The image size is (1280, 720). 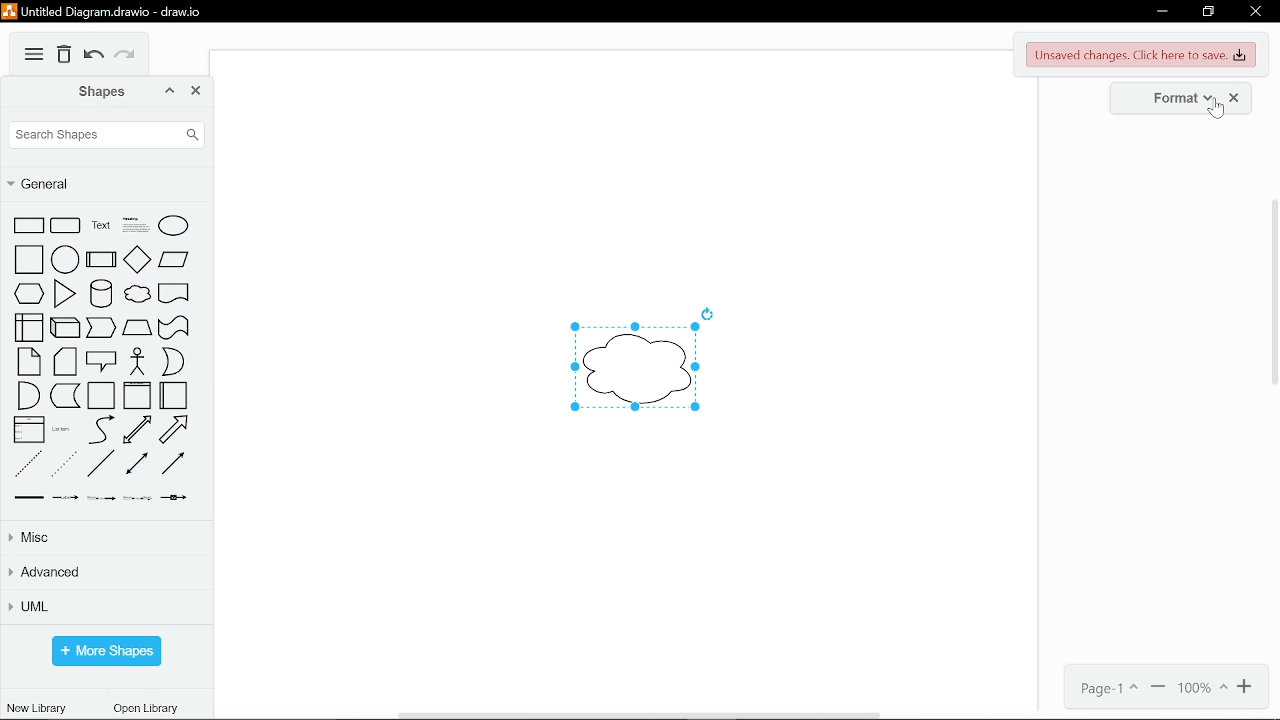 What do you see at coordinates (1141, 55) in the screenshot?
I see `unsaved changes. Click here to save.` at bounding box center [1141, 55].